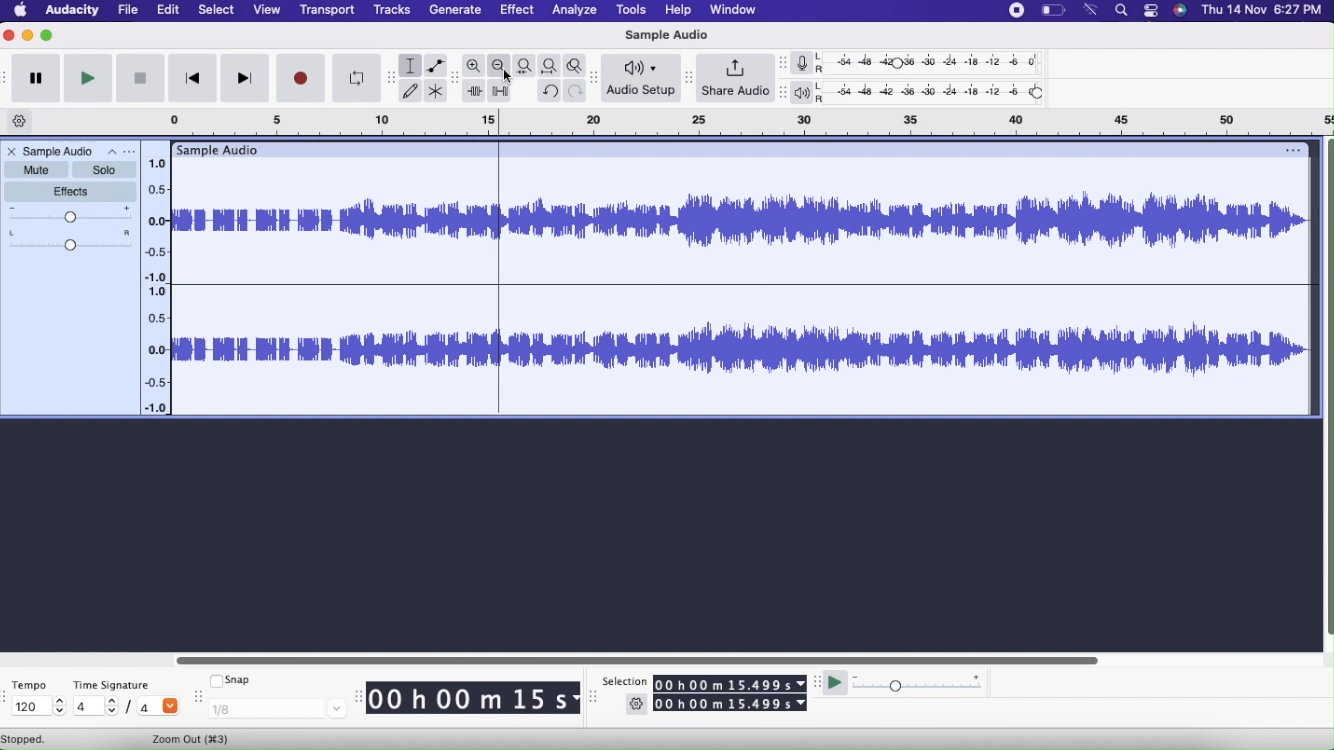  What do you see at coordinates (48, 37) in the screenshot?
I see `Maximize` at bounding box center [48, 37].